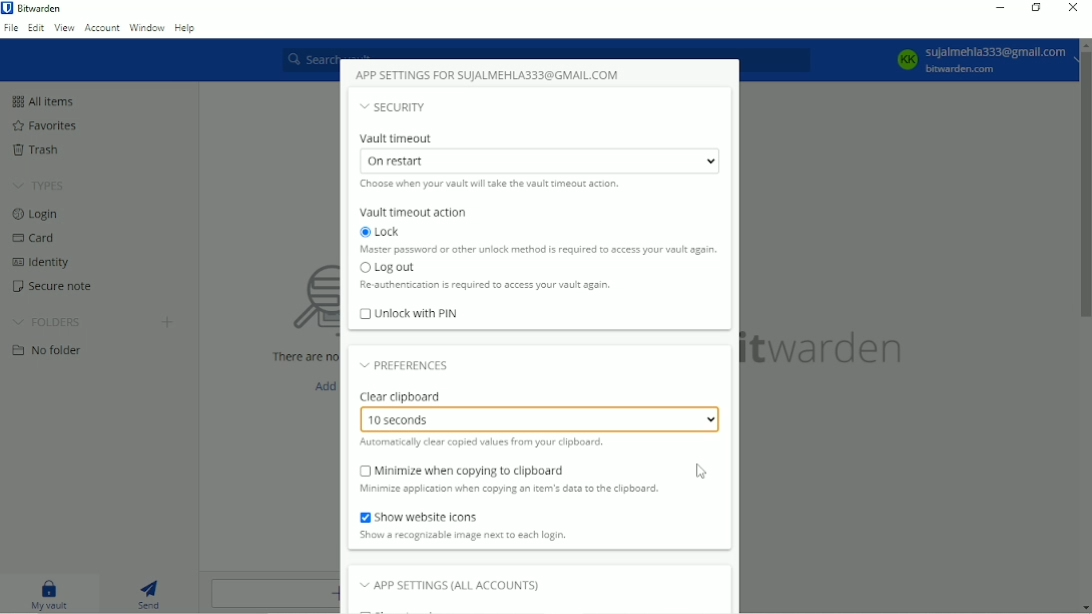 Image resolution: width=1092 pixels, height=614 pixels. Describe the element at coordinates (417, 213) in the screenshot. I see `Vault timeout action` at that location.